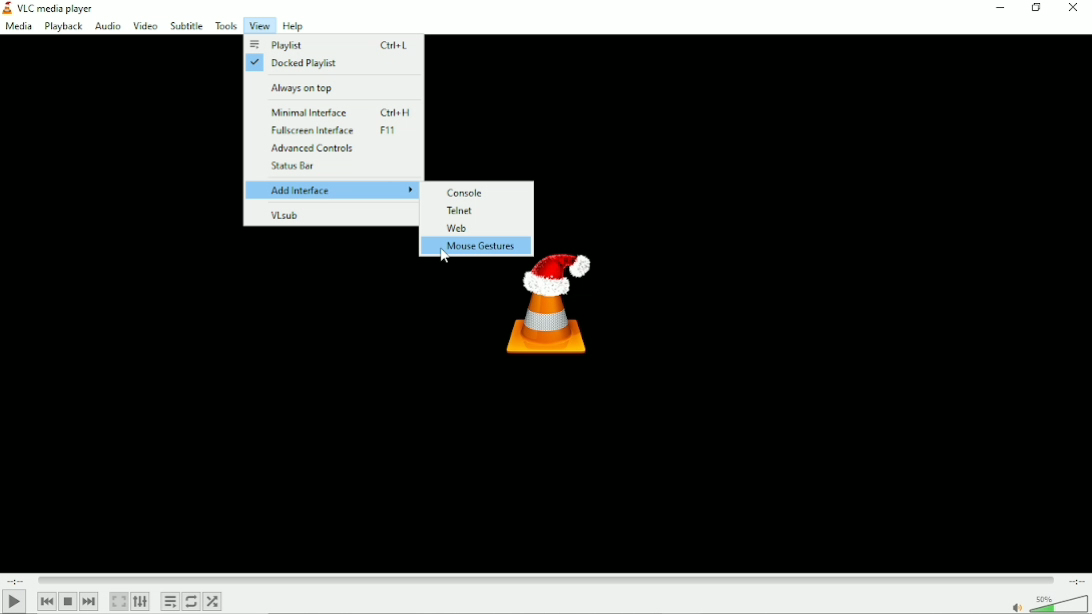 The height and width of the screenshot is (614, 1092). I want to click on Telnet, so click(479, 210).